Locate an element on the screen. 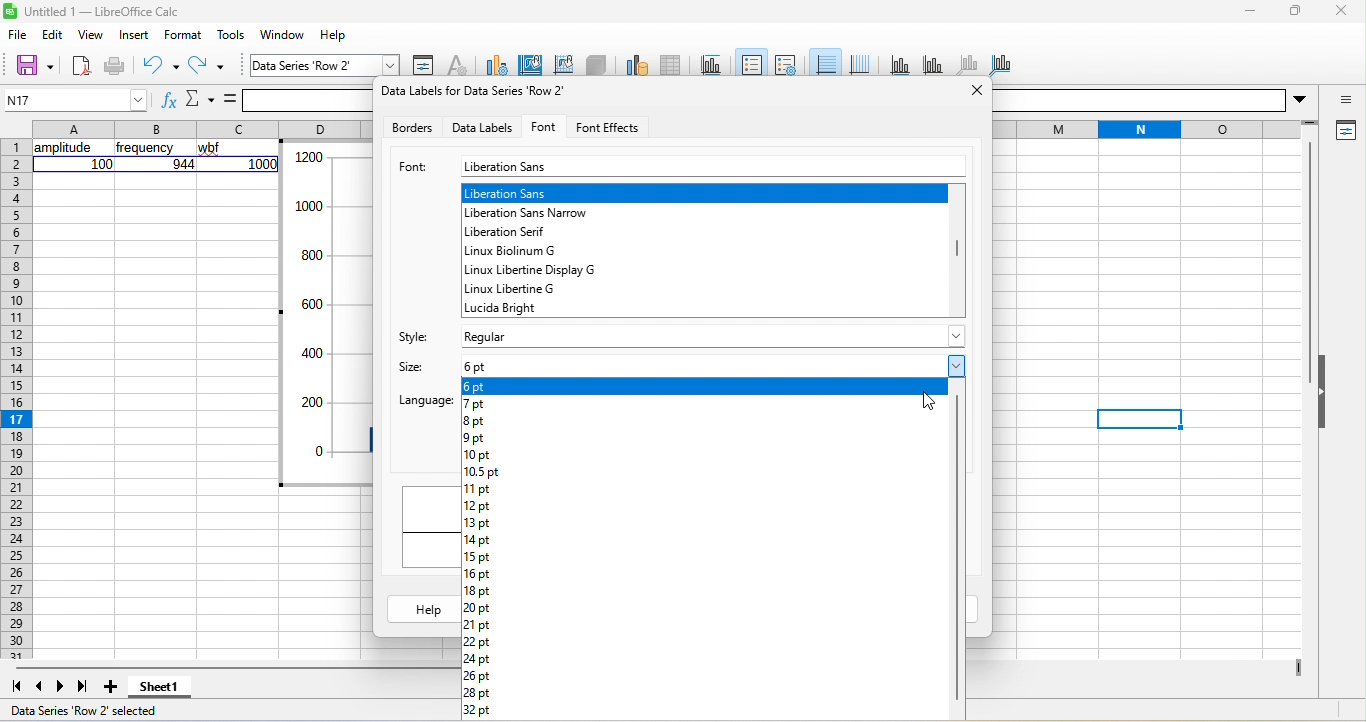  6 pt is located at coordinates (703, 368).